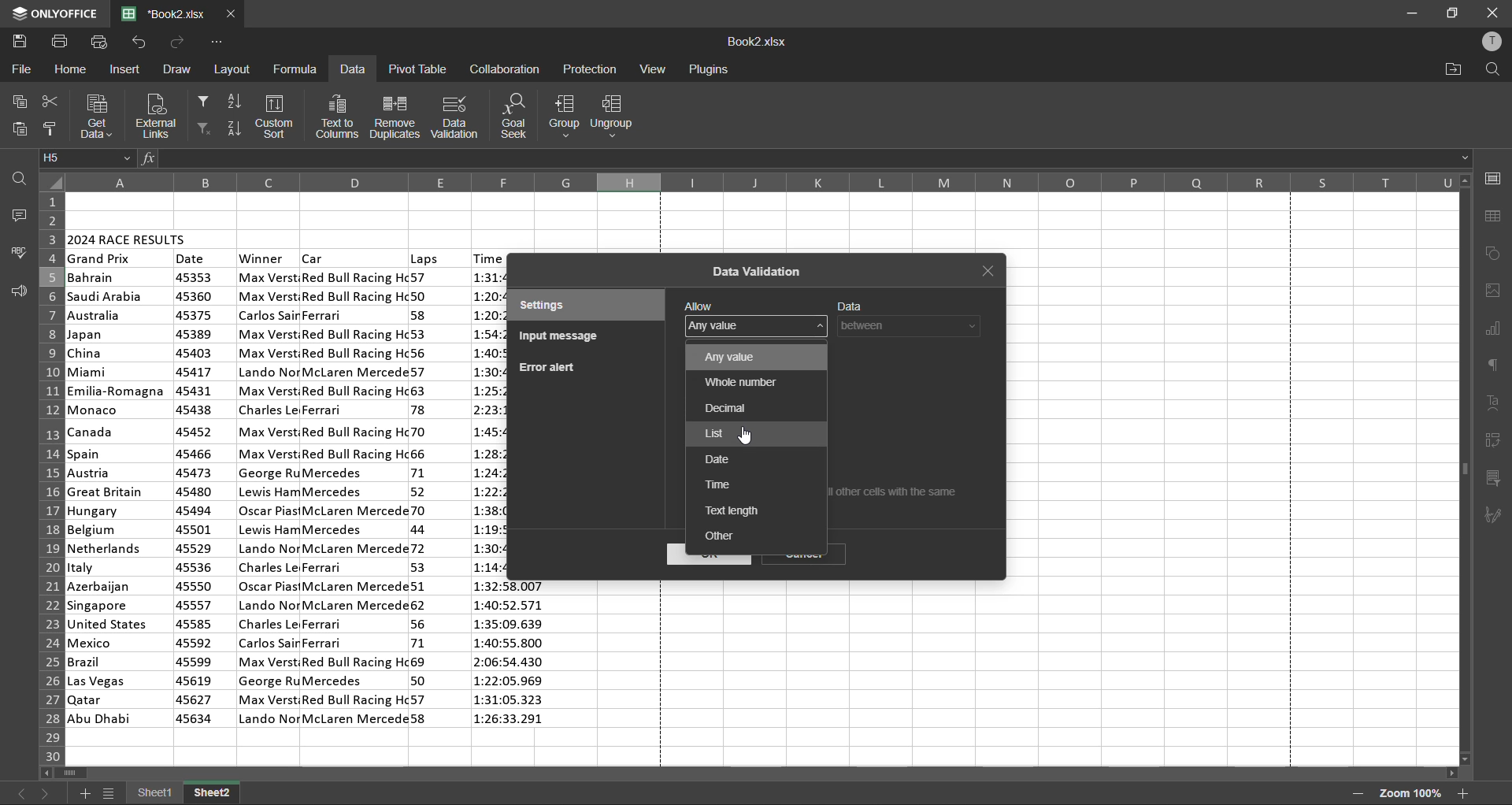  What do you see at coordinates (1493, 331) in the screenshot?
I see `charts` at bounding box center [1493, 331].